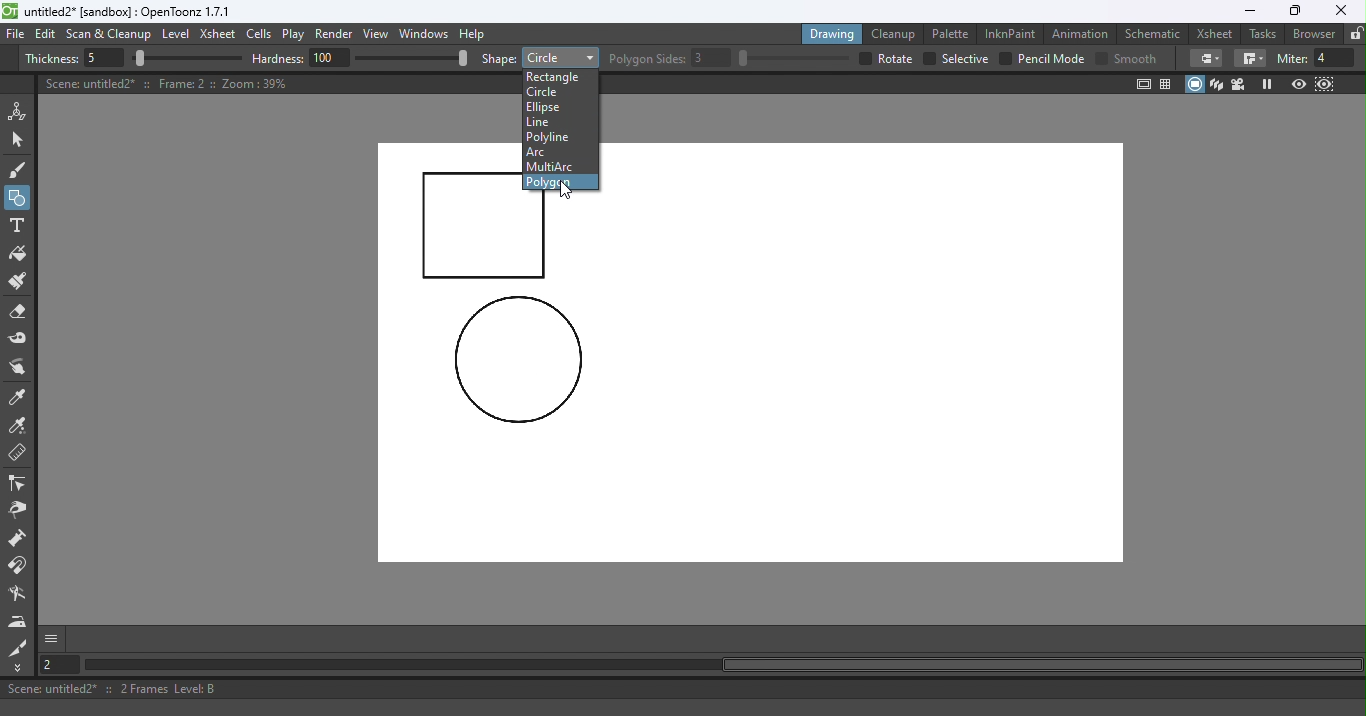 The width and height of the screenshot is (1366, 716). What do you see at coordinates (1311, 33) in the screenshot?
I see `Browser` at bounding box center [1311, 33].